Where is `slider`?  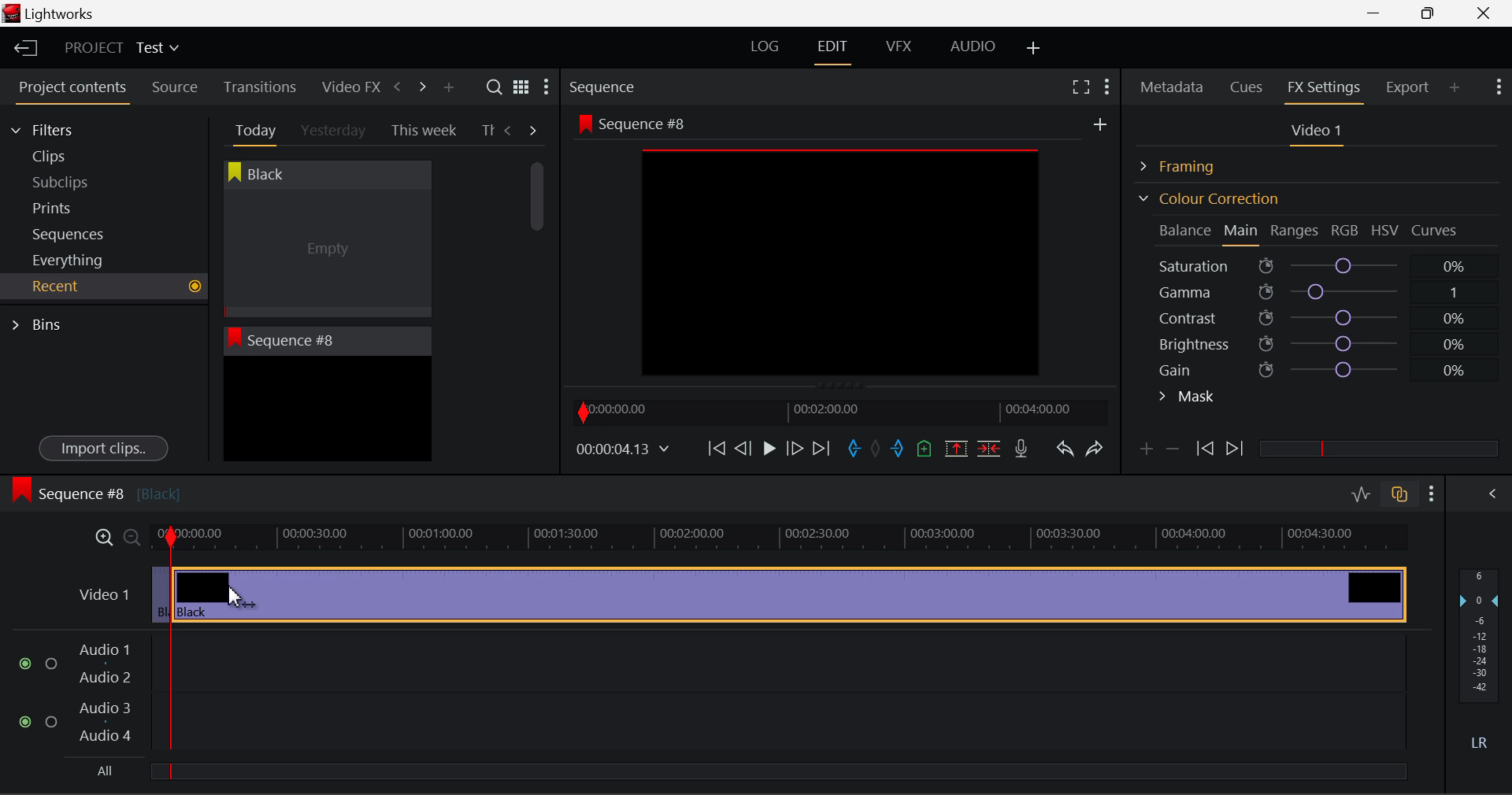
slider is located at coordinates (1378, 448).